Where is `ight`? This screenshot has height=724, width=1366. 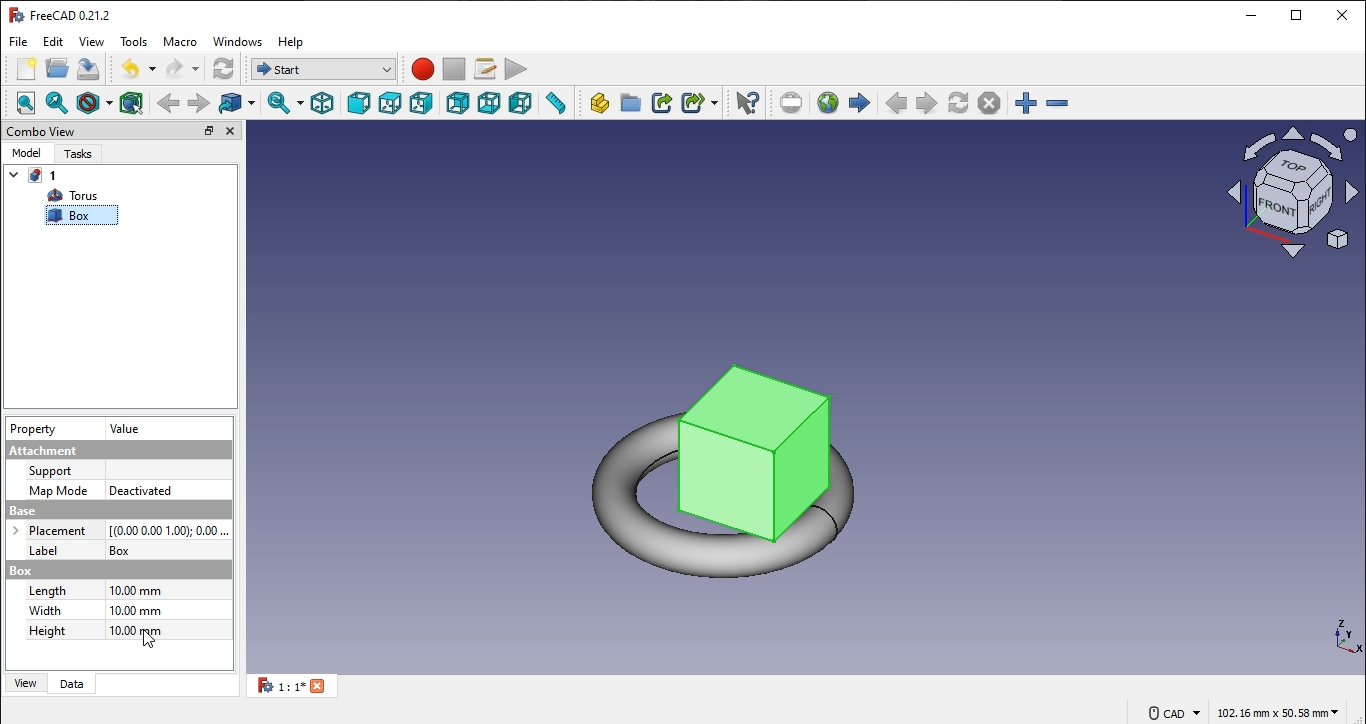 ight is located at coordinates (423, 105).